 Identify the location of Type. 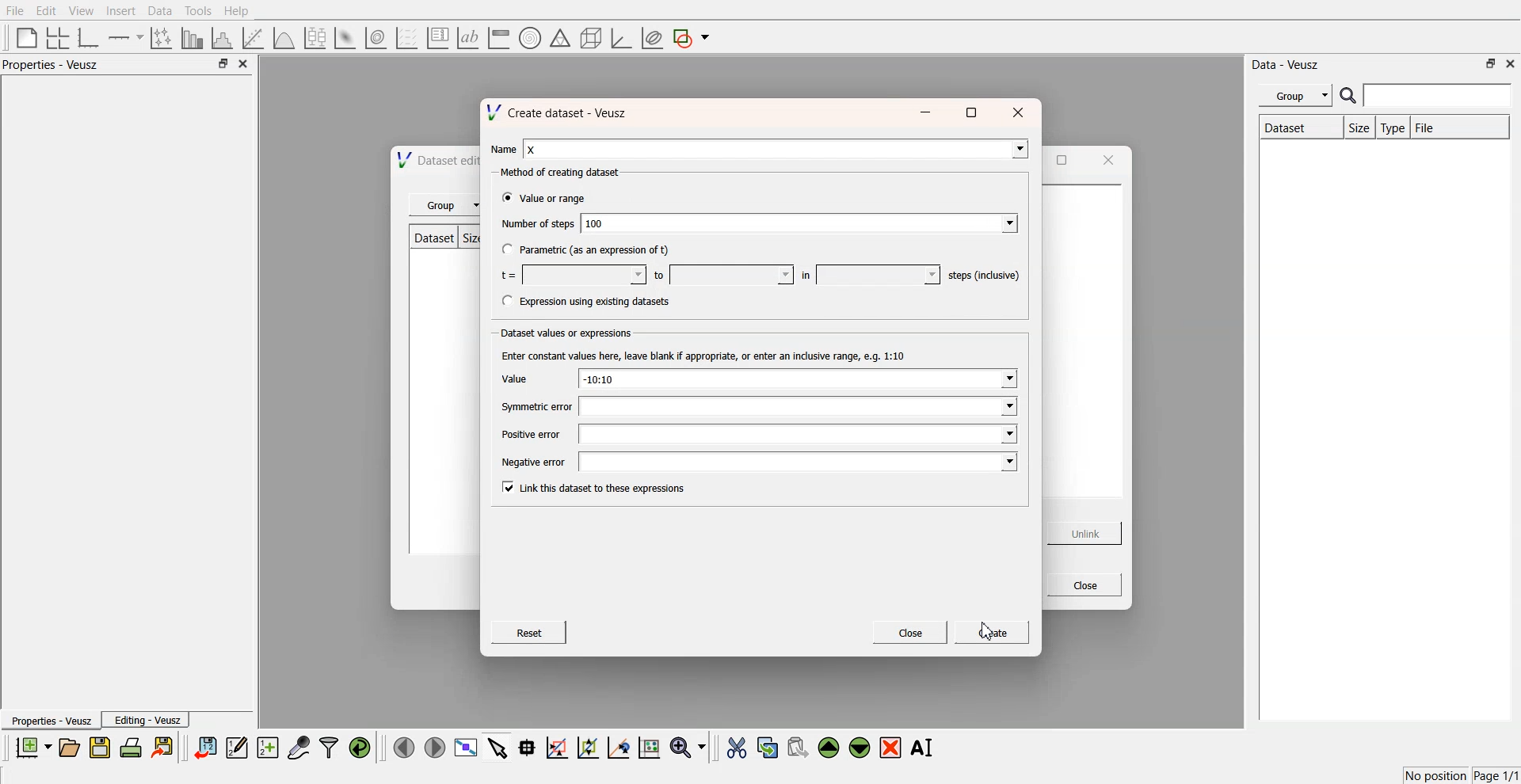
(1393, 128).